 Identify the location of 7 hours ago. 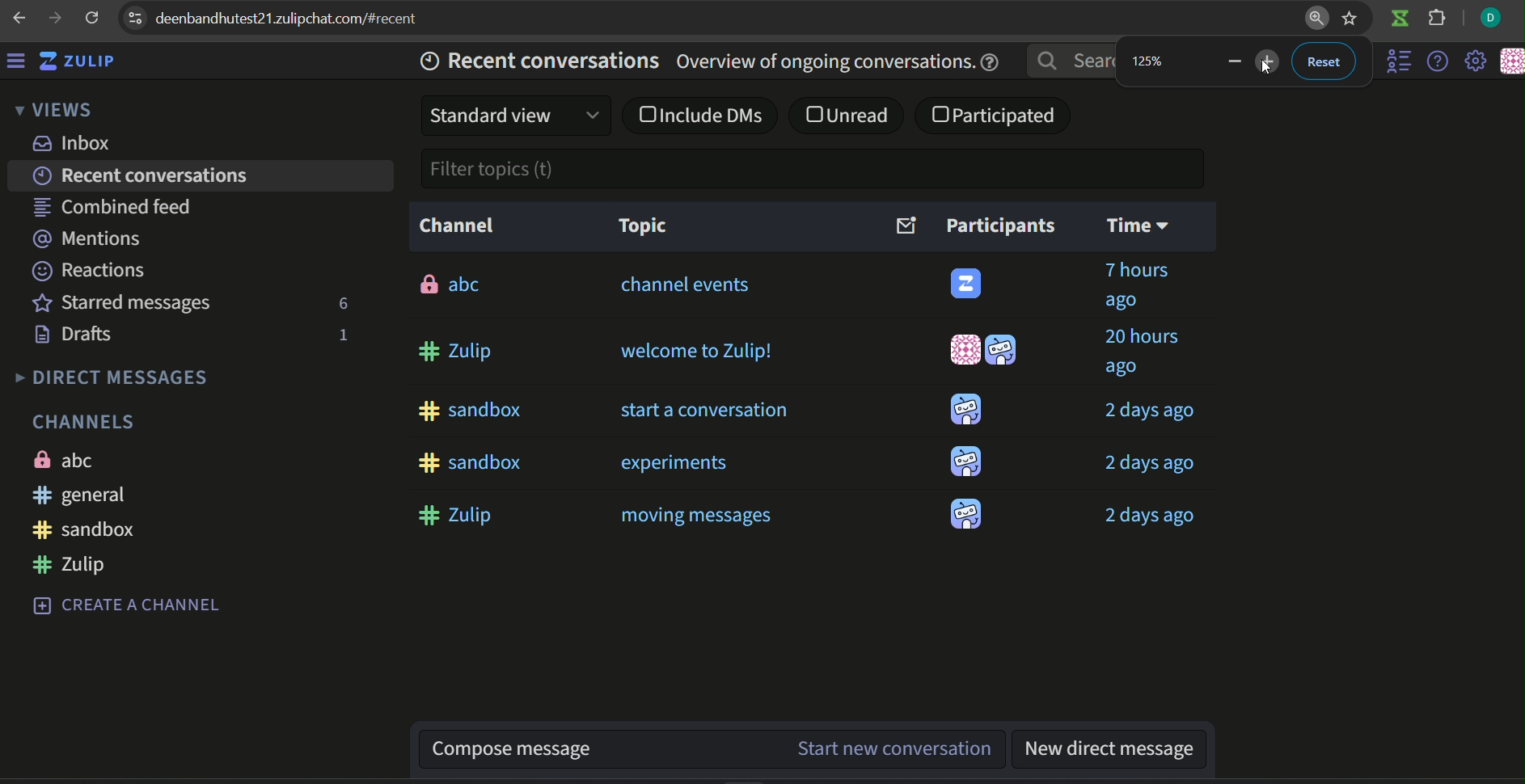
(1135, 286).